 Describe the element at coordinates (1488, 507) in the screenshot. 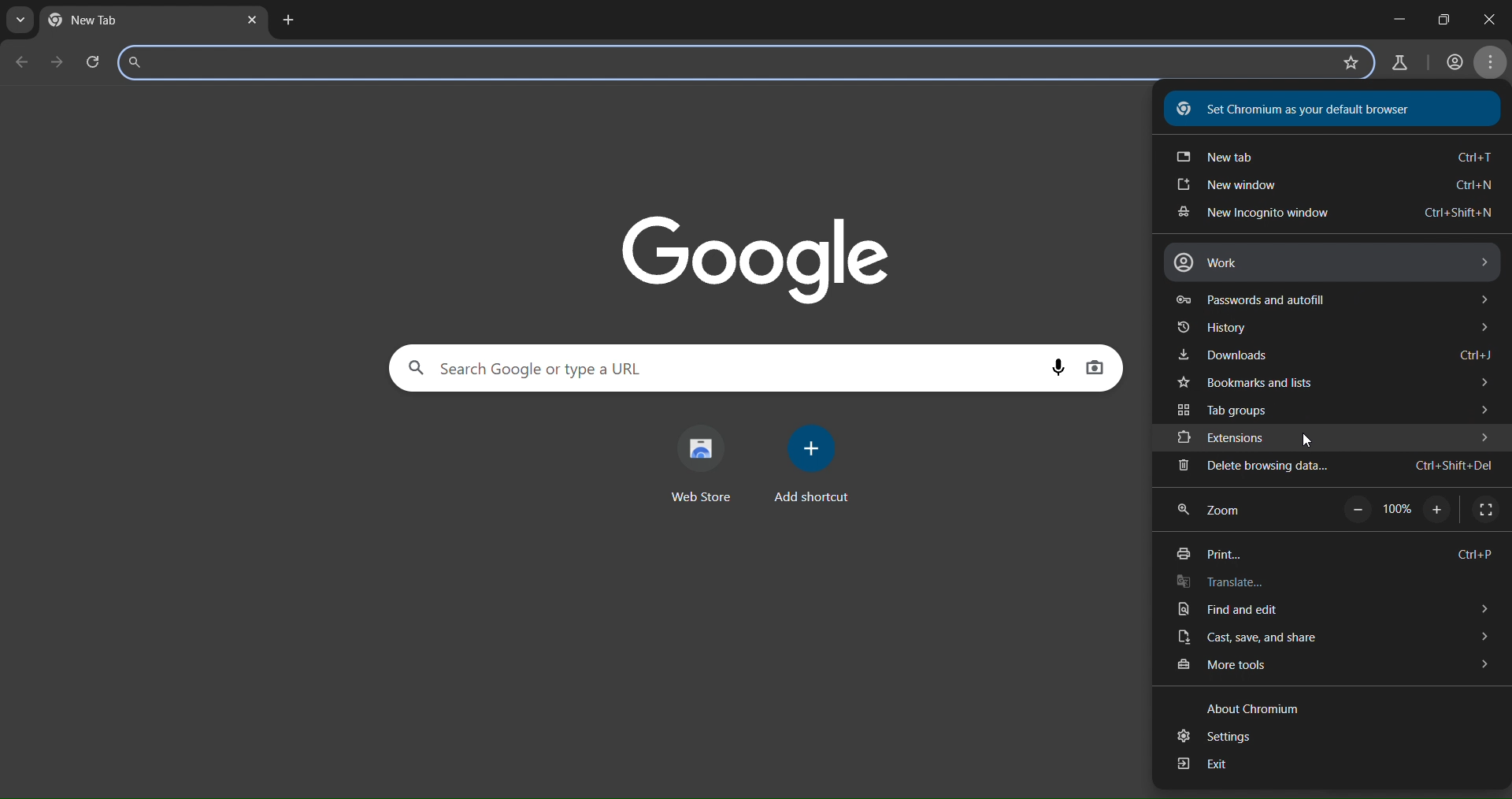

I see `display fullscreen ` at that location.